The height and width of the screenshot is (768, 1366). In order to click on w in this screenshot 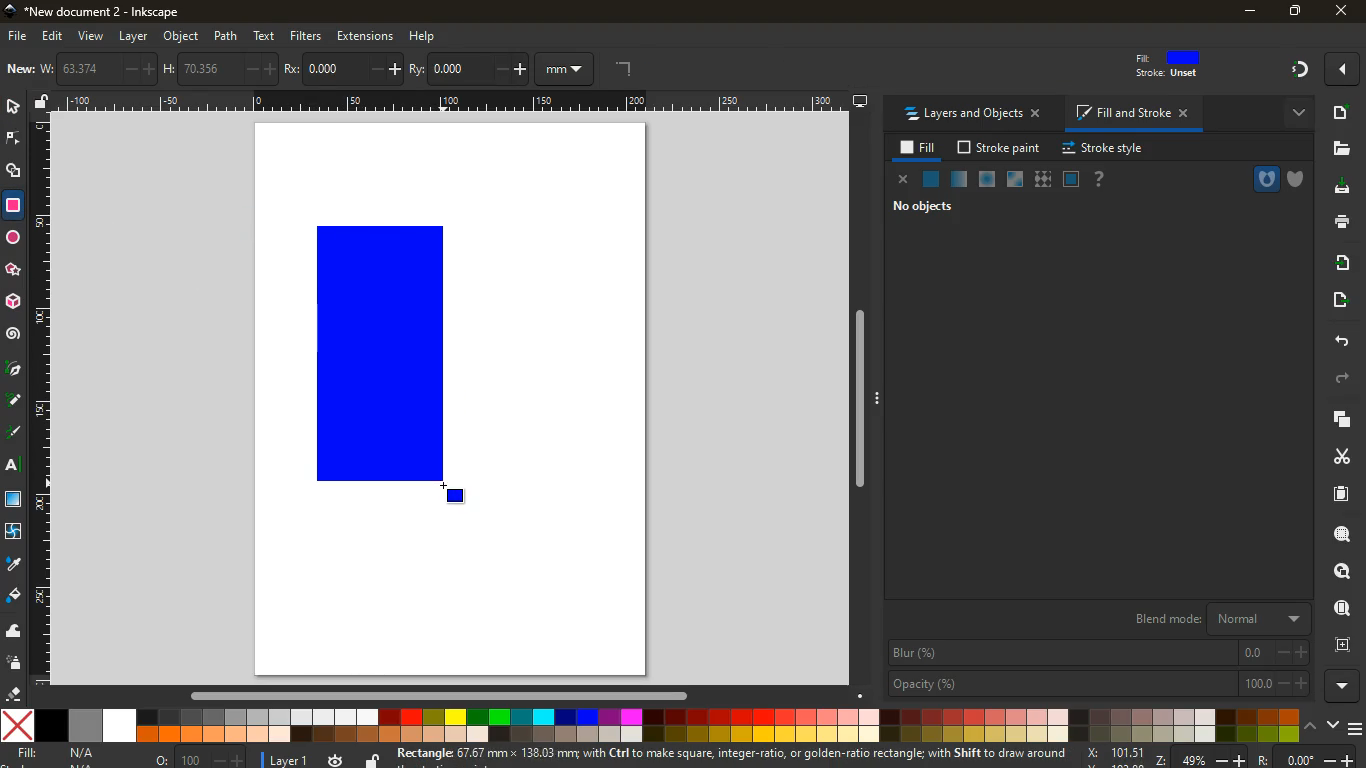, I will do `click(97, 69)`.